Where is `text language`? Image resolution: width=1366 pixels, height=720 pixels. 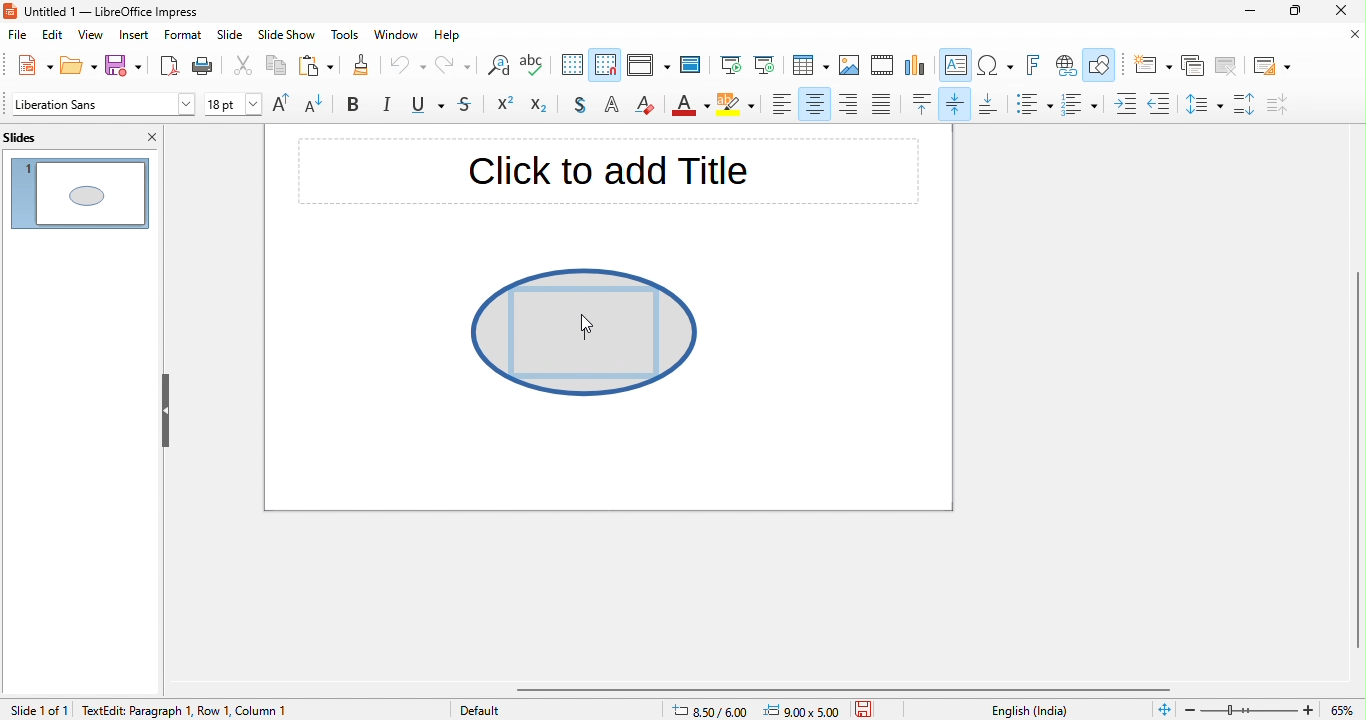 text language is located at coordinates (1032, 710).